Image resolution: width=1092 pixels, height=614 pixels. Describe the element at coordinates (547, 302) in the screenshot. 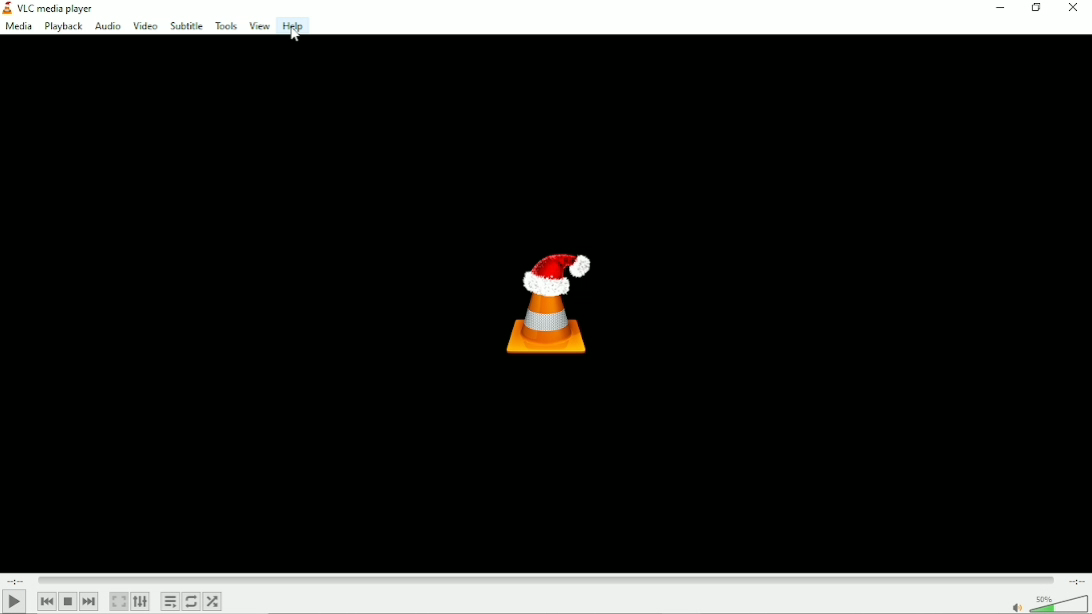

I see `Logo` at that location.